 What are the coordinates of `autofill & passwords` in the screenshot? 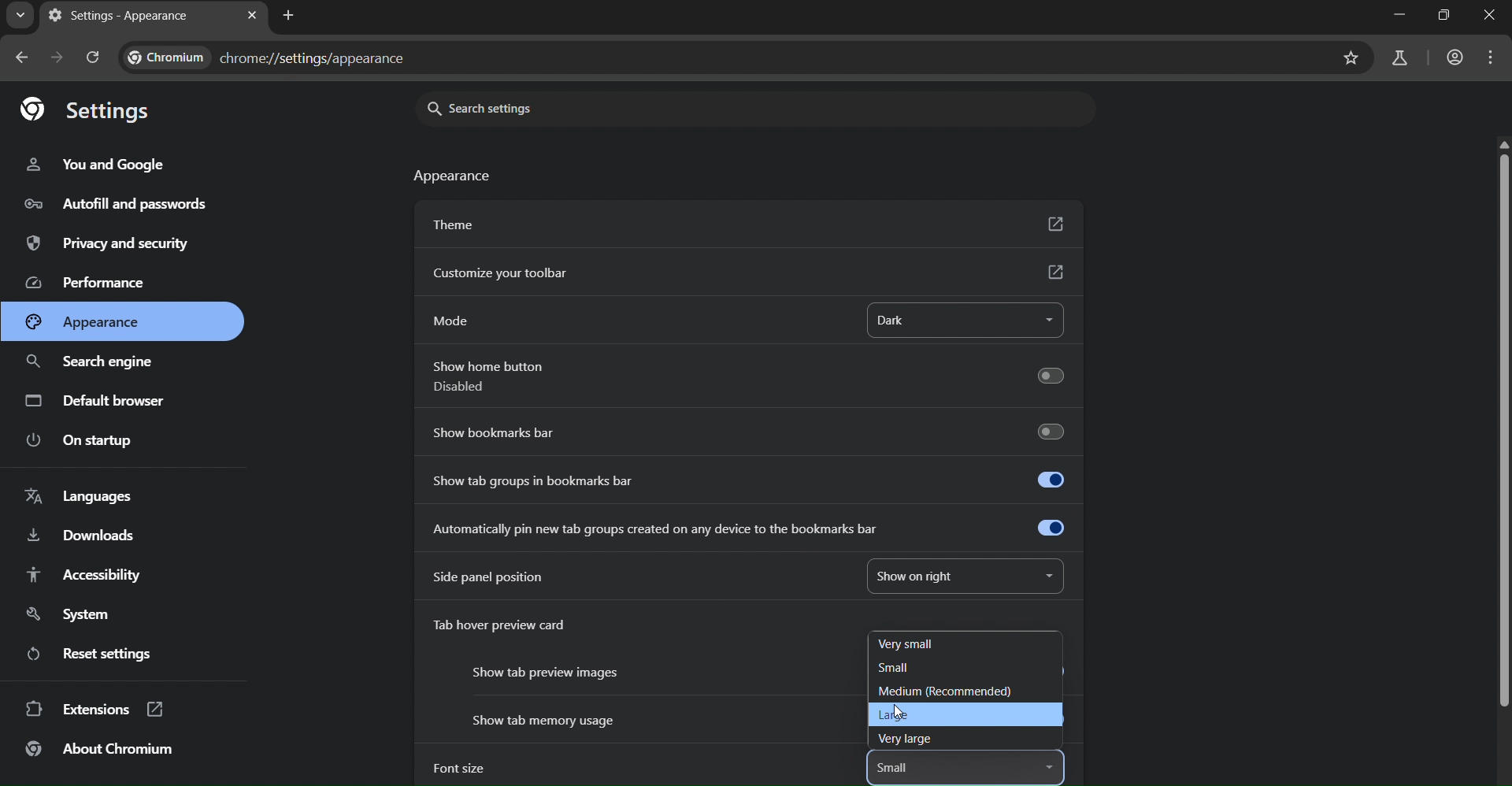 It's located at (129, 206).